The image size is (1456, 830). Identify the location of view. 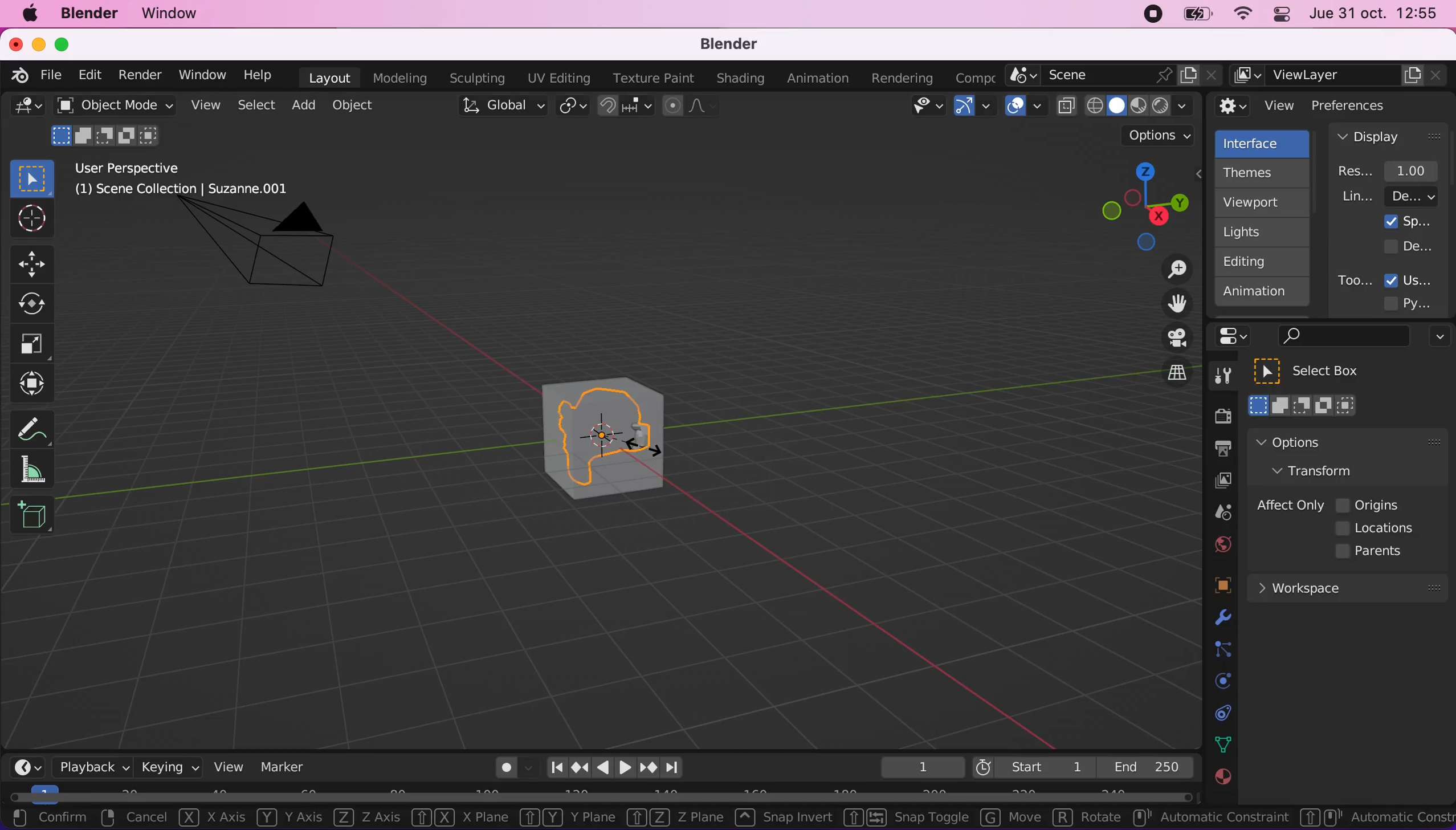
(1256, 106).